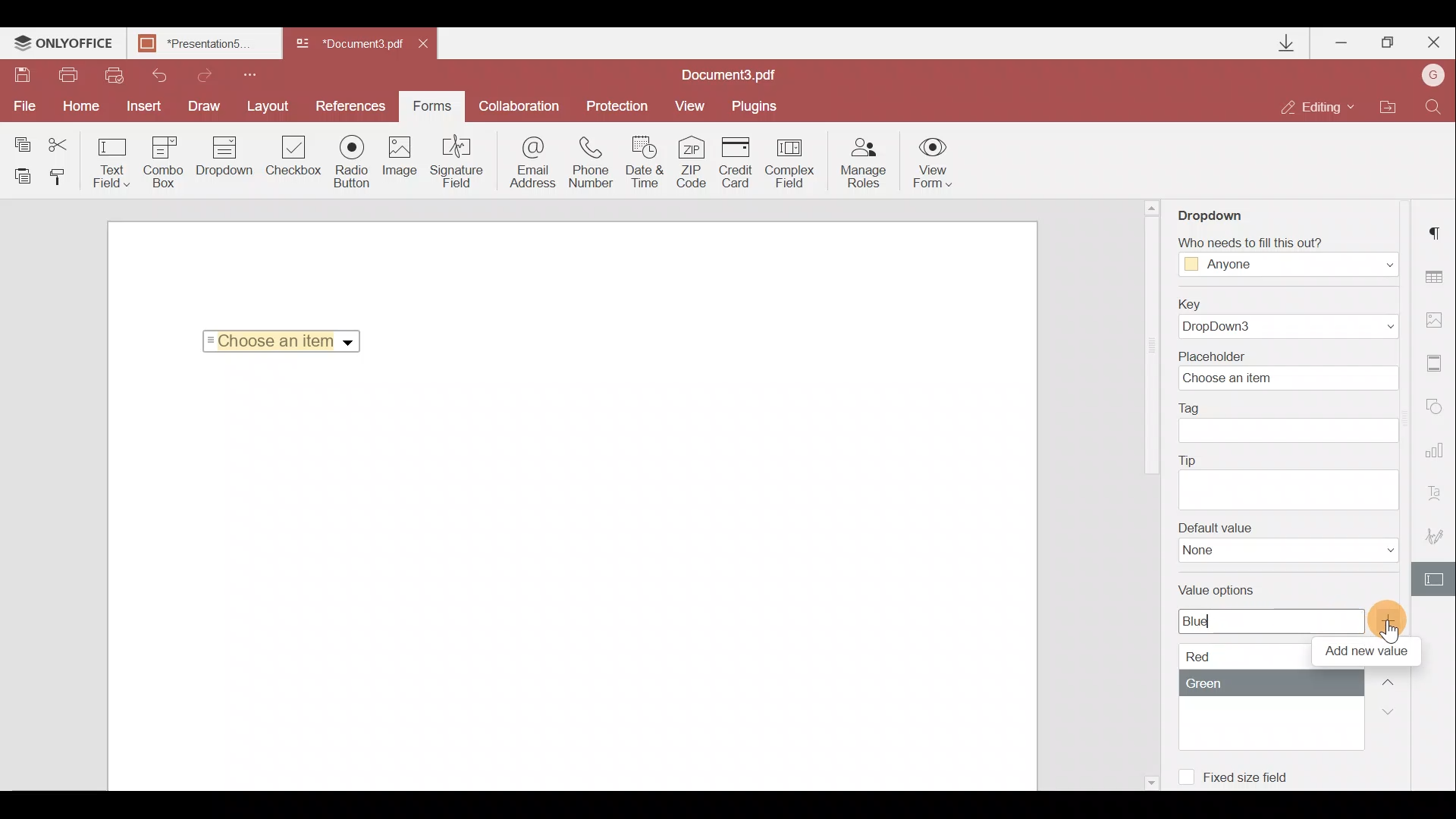 This screenshot has height=819, width=1456. What do you see at coordinates (1288, 480) in the screenshot?
I see `Tip` at bounding box center [1288, 480].